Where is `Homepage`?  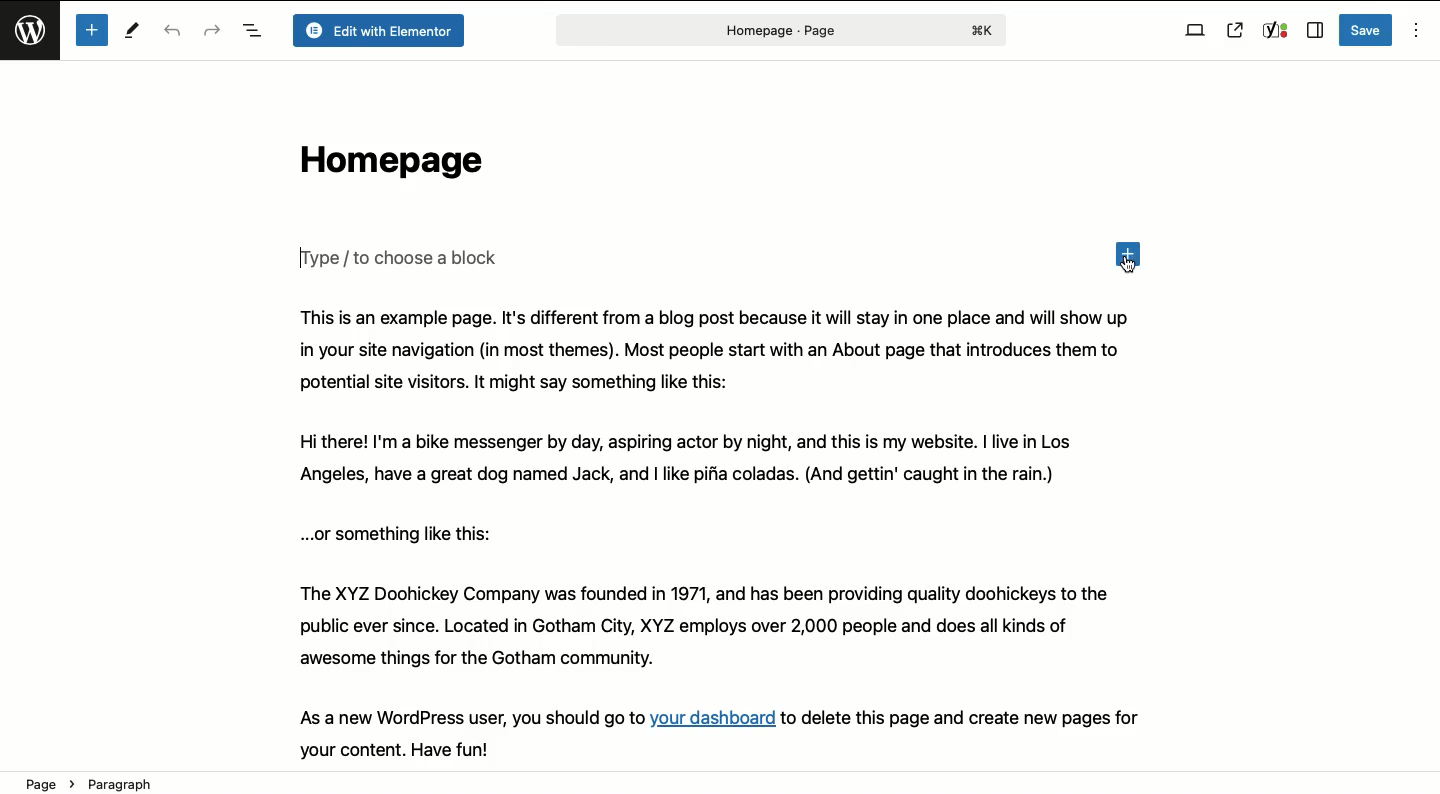
Homepage is located at coordinates (386, 165).